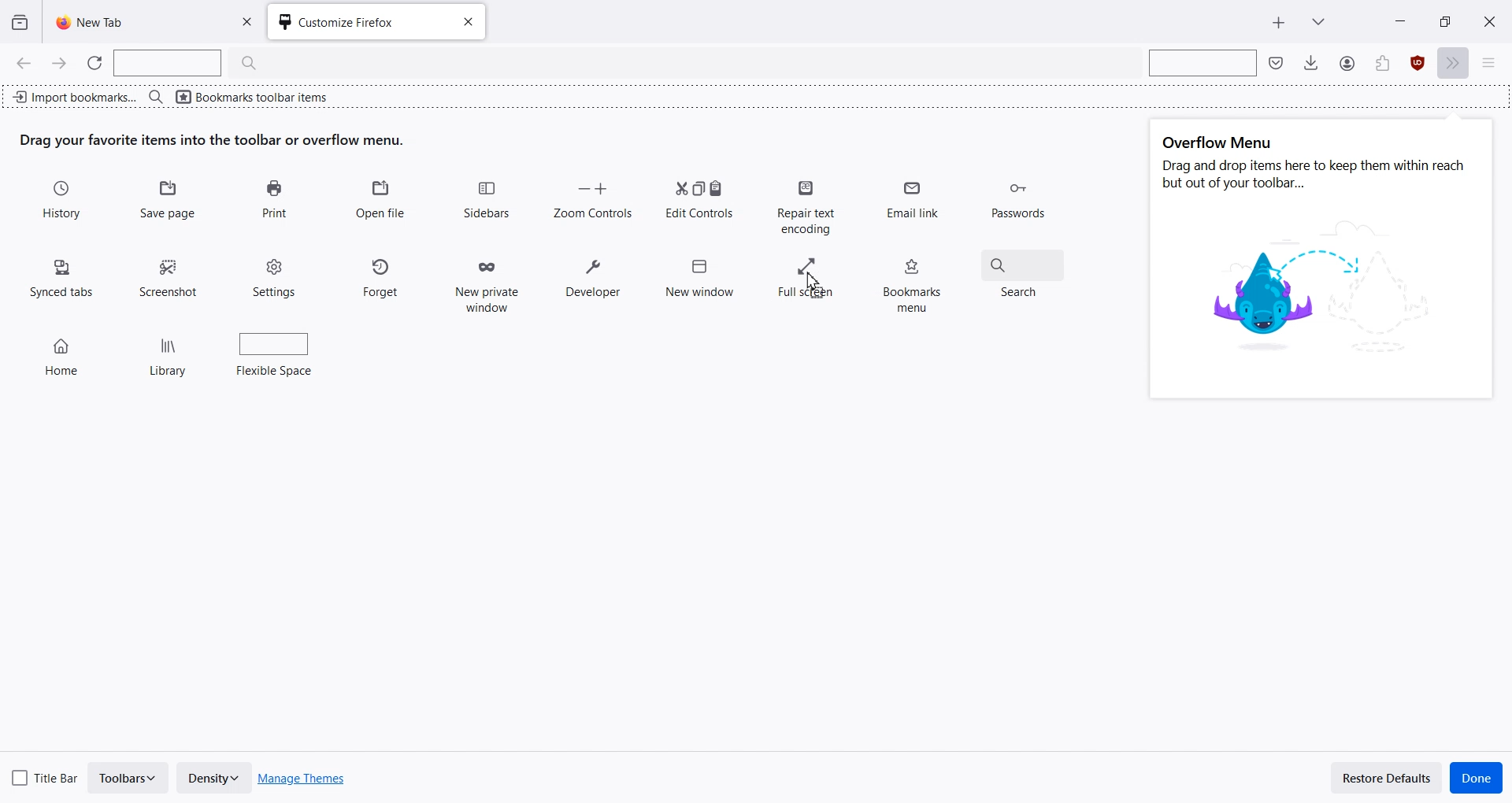  I want to click on Refresh, so click(95, 63).